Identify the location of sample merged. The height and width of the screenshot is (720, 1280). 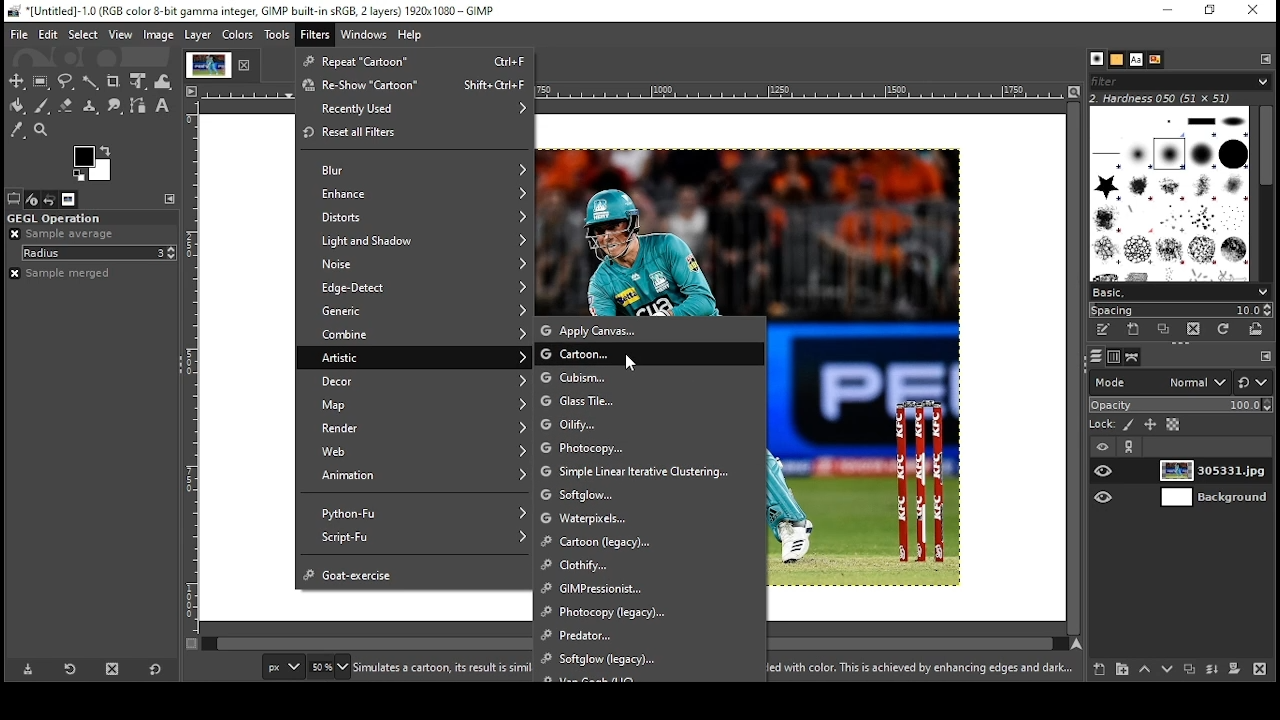
(60, 273).